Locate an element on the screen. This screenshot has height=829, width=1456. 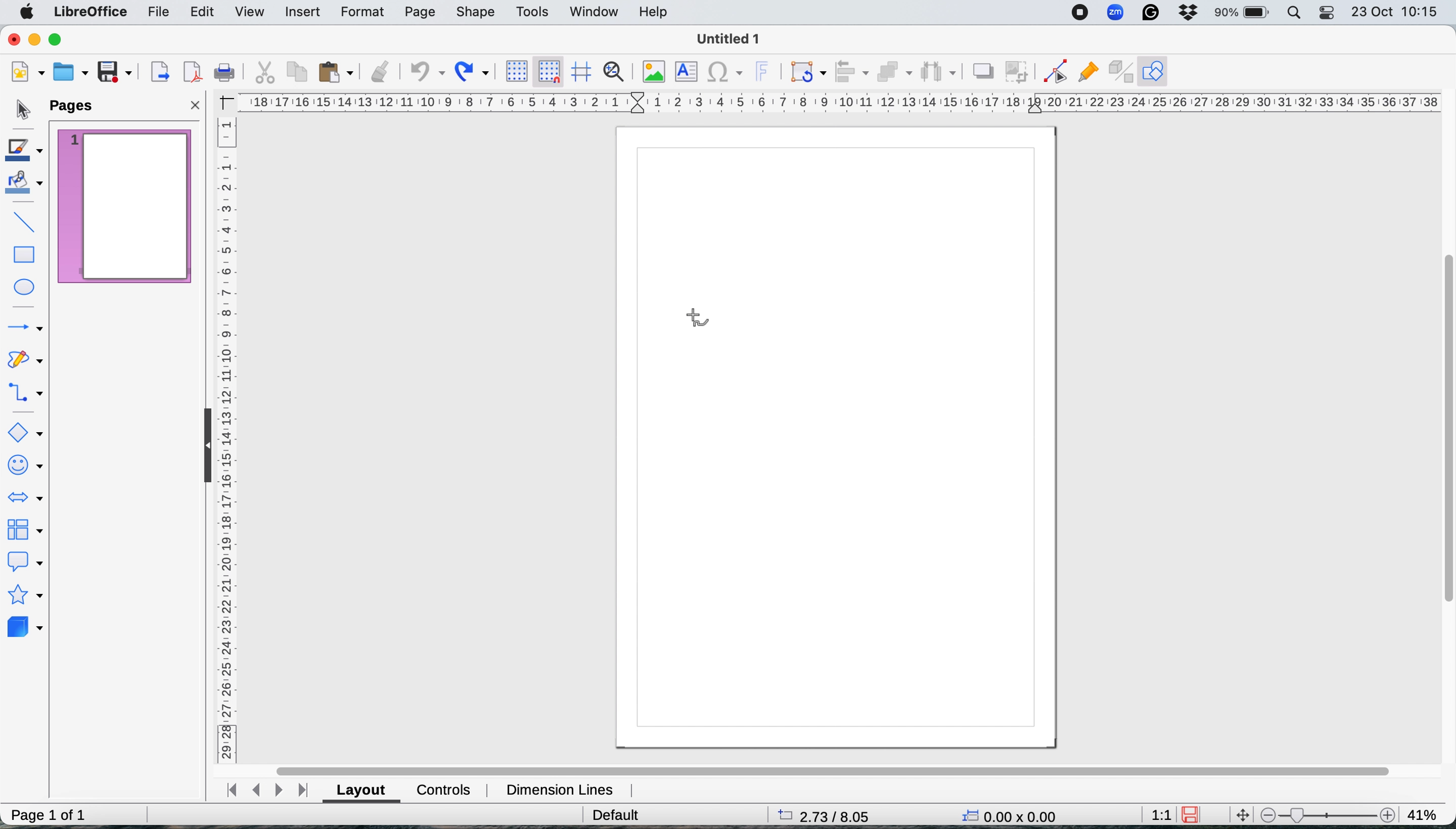
tools is located at coordinates (535, 12).